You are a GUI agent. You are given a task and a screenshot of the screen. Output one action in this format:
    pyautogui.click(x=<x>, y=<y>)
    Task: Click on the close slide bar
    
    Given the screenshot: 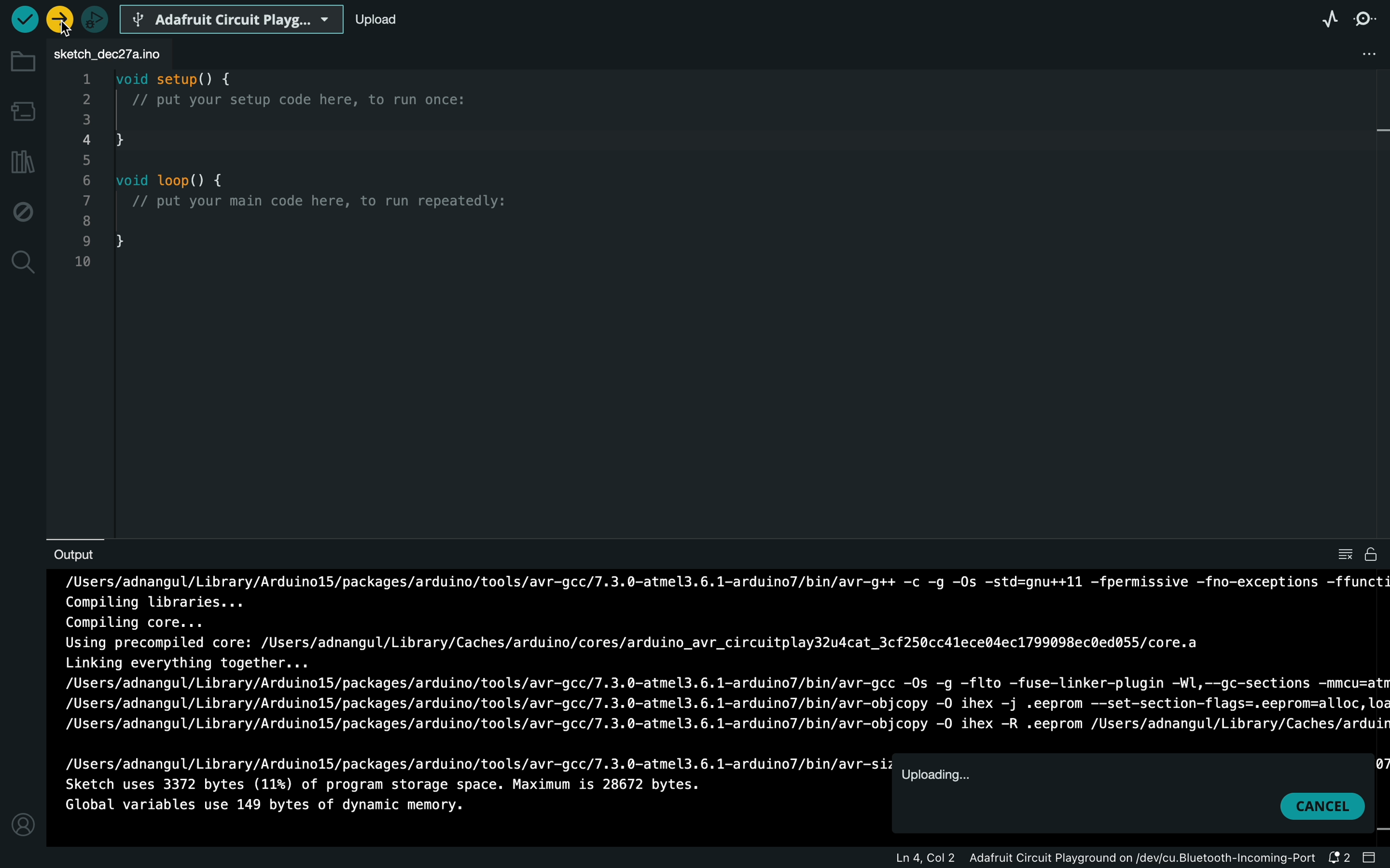 What is the action you would take?
    pyautogui.click(x=1372, y=858)
    